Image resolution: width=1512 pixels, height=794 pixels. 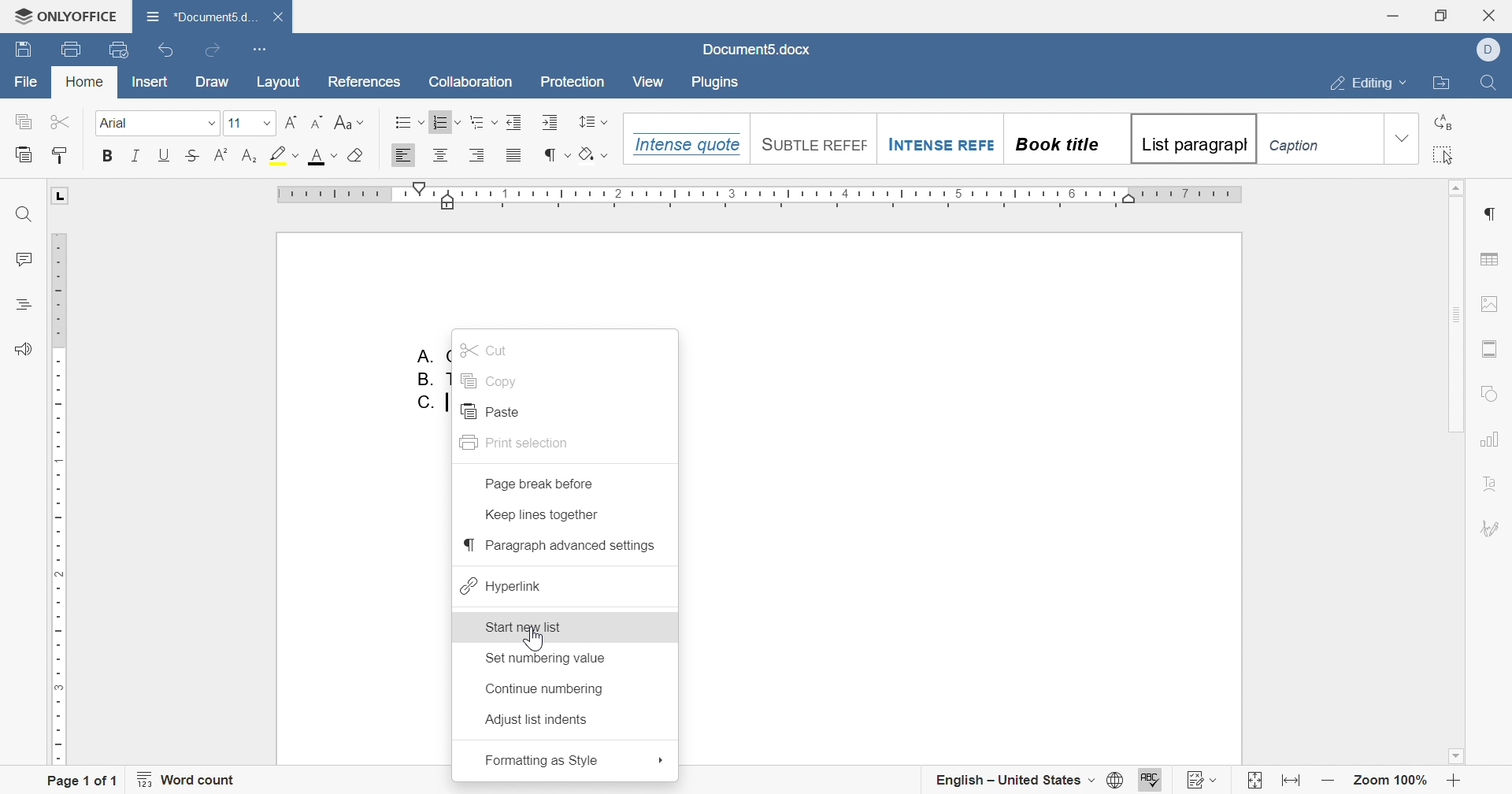 I want to click on Decrement font size, so click(x=317, y=122).